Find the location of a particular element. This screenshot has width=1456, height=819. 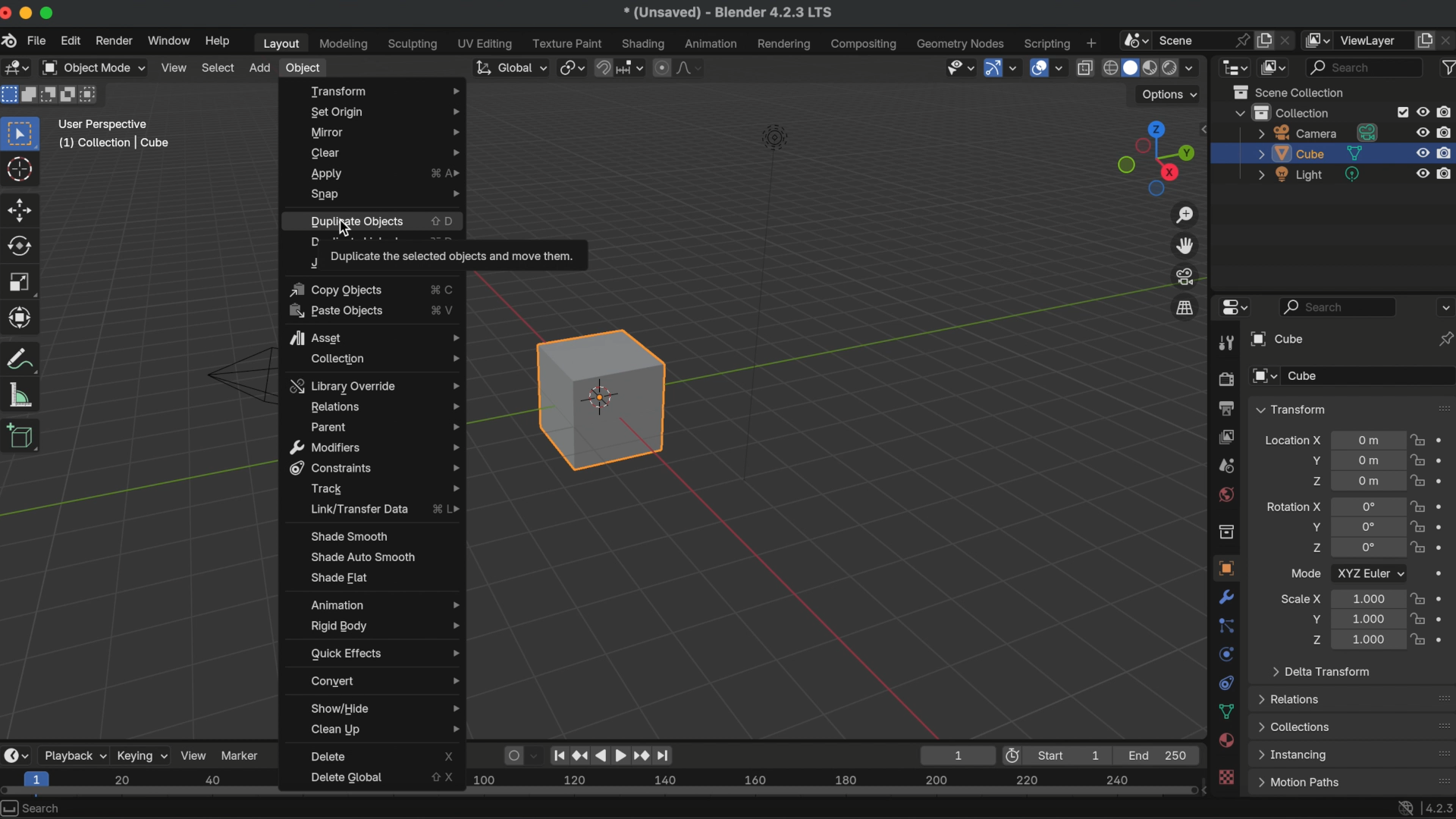

delete global is located at coordinates (377, 779).